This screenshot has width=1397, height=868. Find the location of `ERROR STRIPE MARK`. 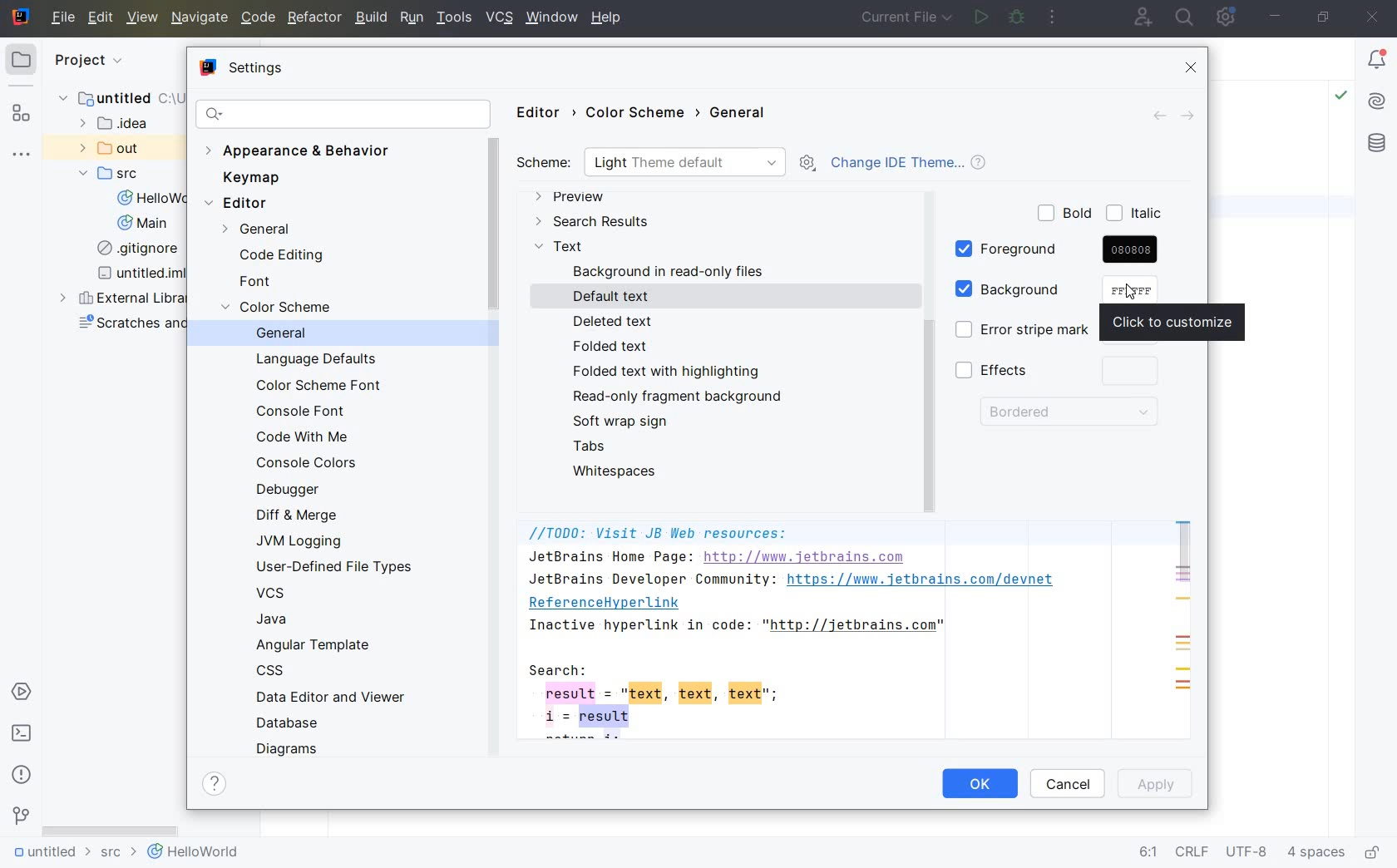

ERROR STRIPE MARK is located at coordinates (1018, 331).